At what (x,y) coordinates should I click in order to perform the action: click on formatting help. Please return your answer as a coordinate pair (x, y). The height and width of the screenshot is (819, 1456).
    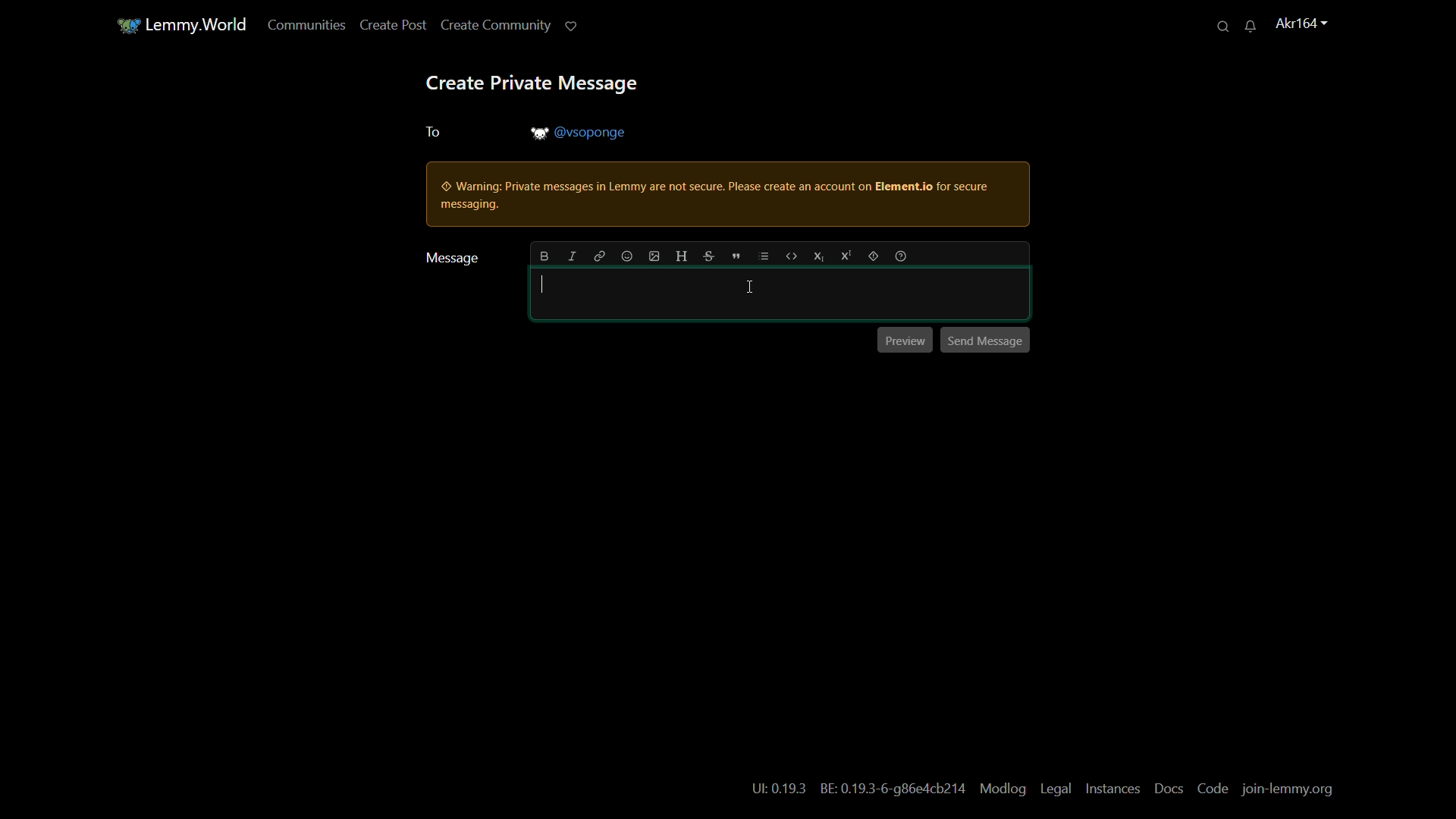
    Looking at the image, I should click on (903, 256).